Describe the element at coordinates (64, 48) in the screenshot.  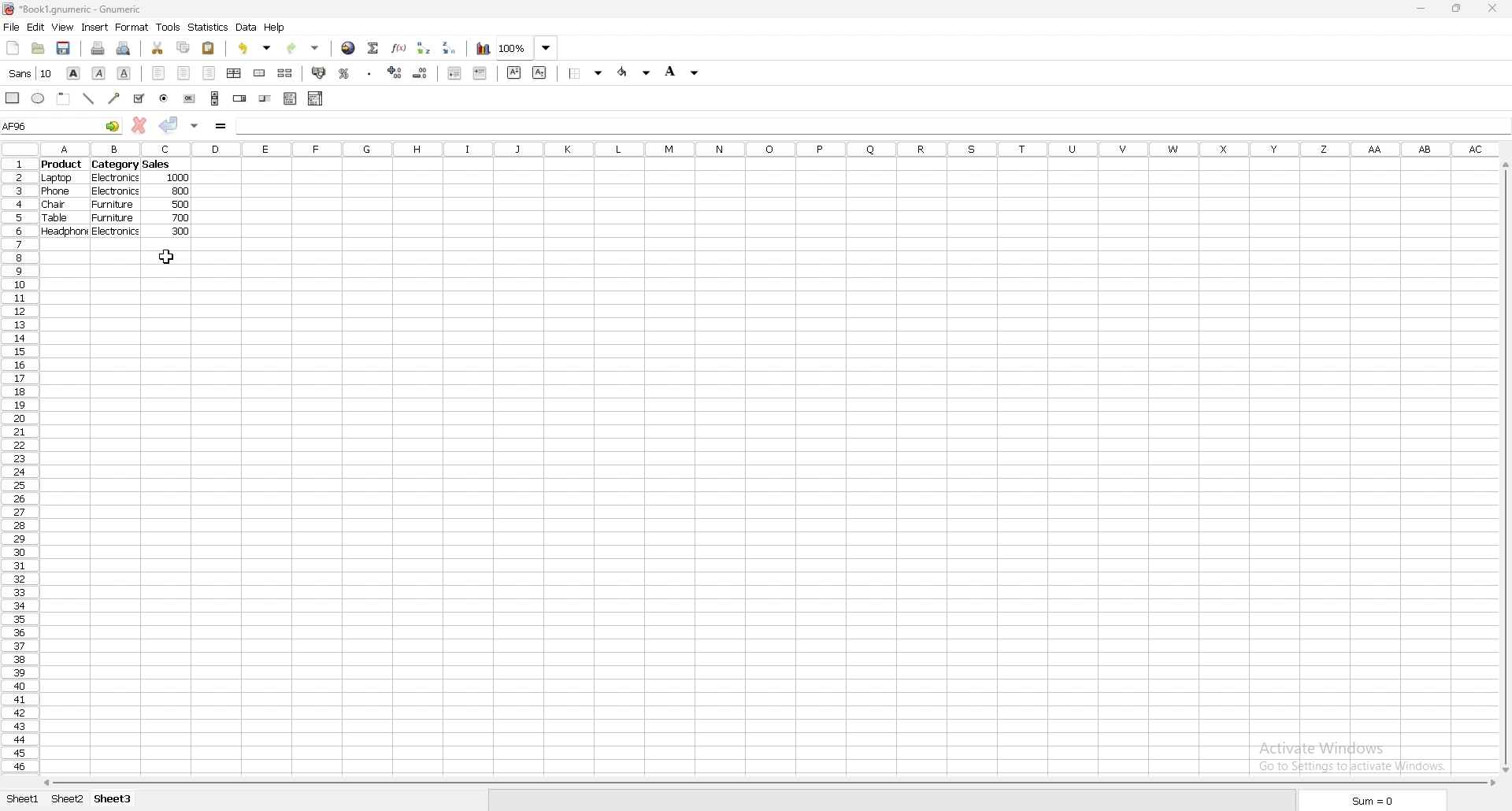
I see `save` at that location.